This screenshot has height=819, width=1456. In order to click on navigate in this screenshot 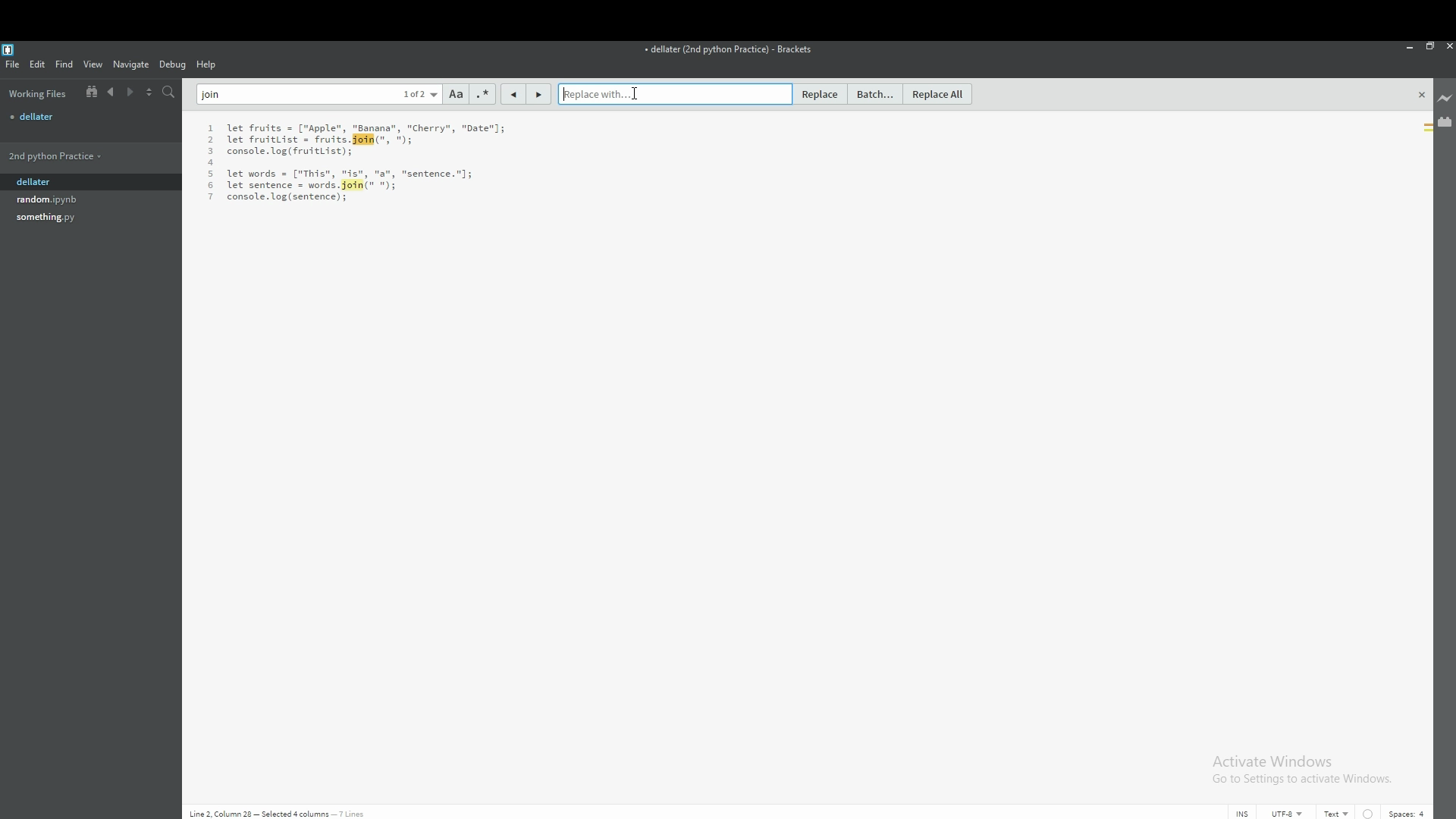, I will do `click(132, 64)`.